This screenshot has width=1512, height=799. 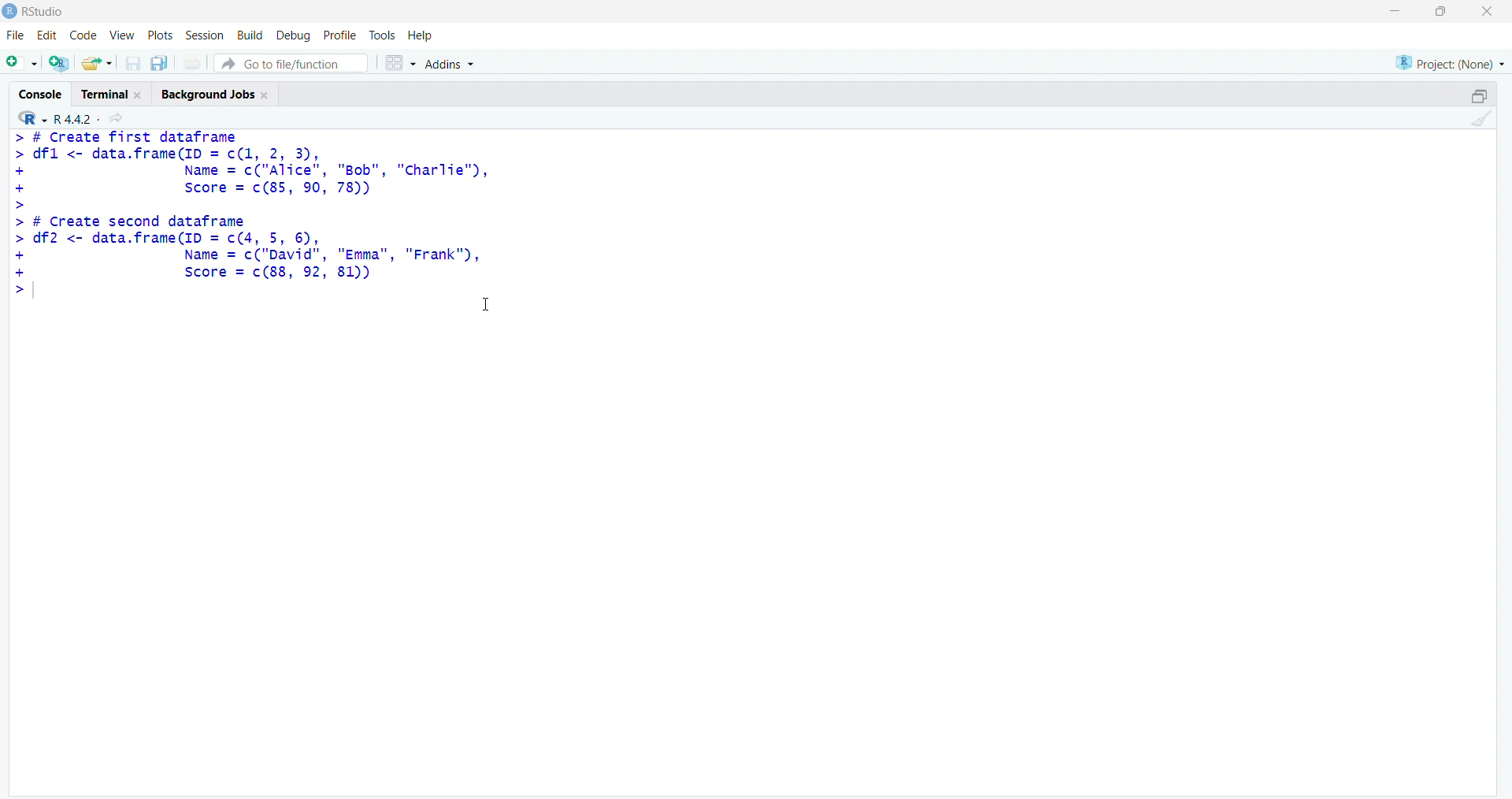 I want to click on Edit, so click(x=50, y=34).